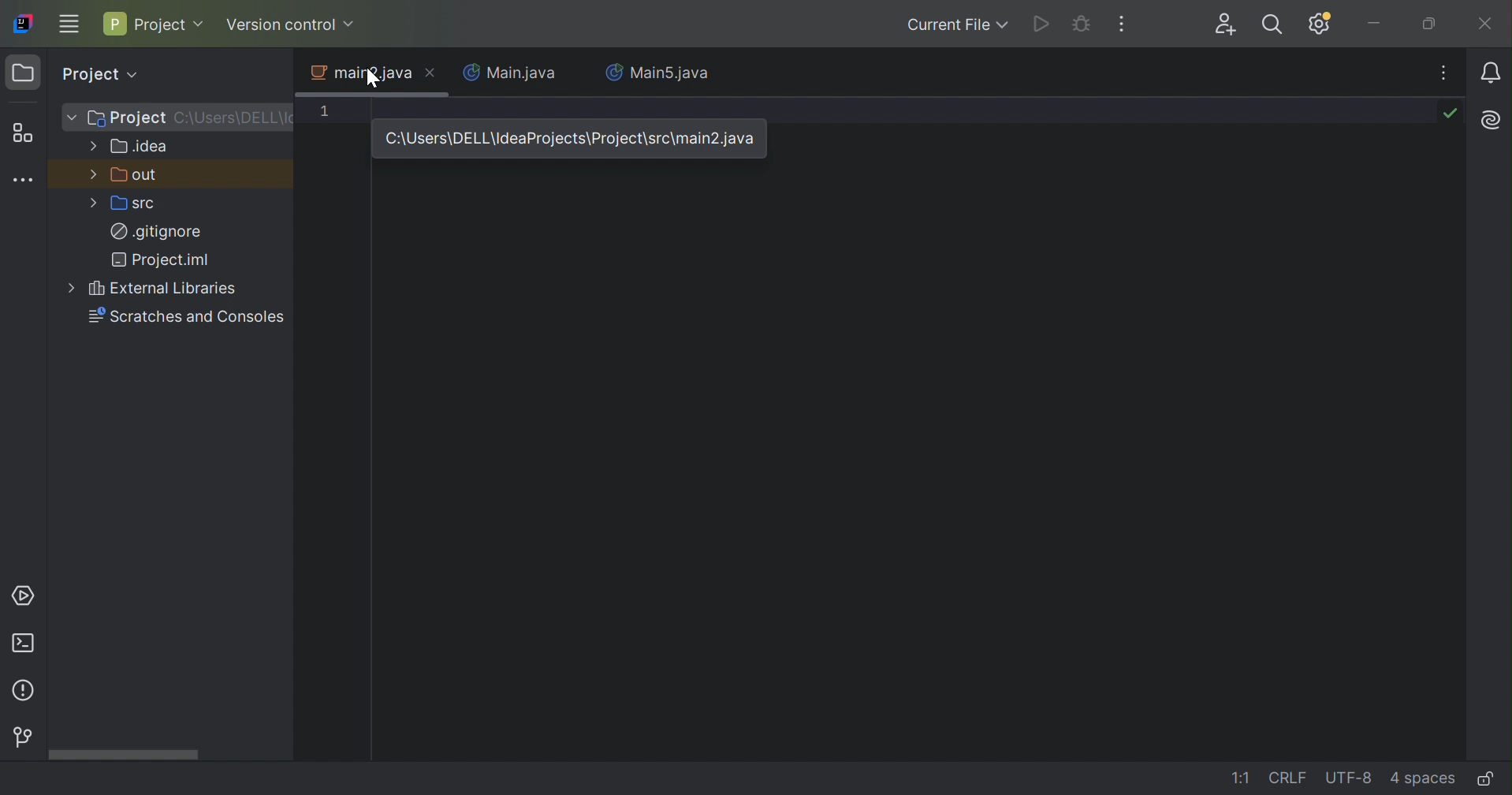 The width and height of the screenshot is (1512, 795). What do you see at coordinates (122, 757) in the screenshot?
I see `Scroll bar` at bounding box center [122, 757].